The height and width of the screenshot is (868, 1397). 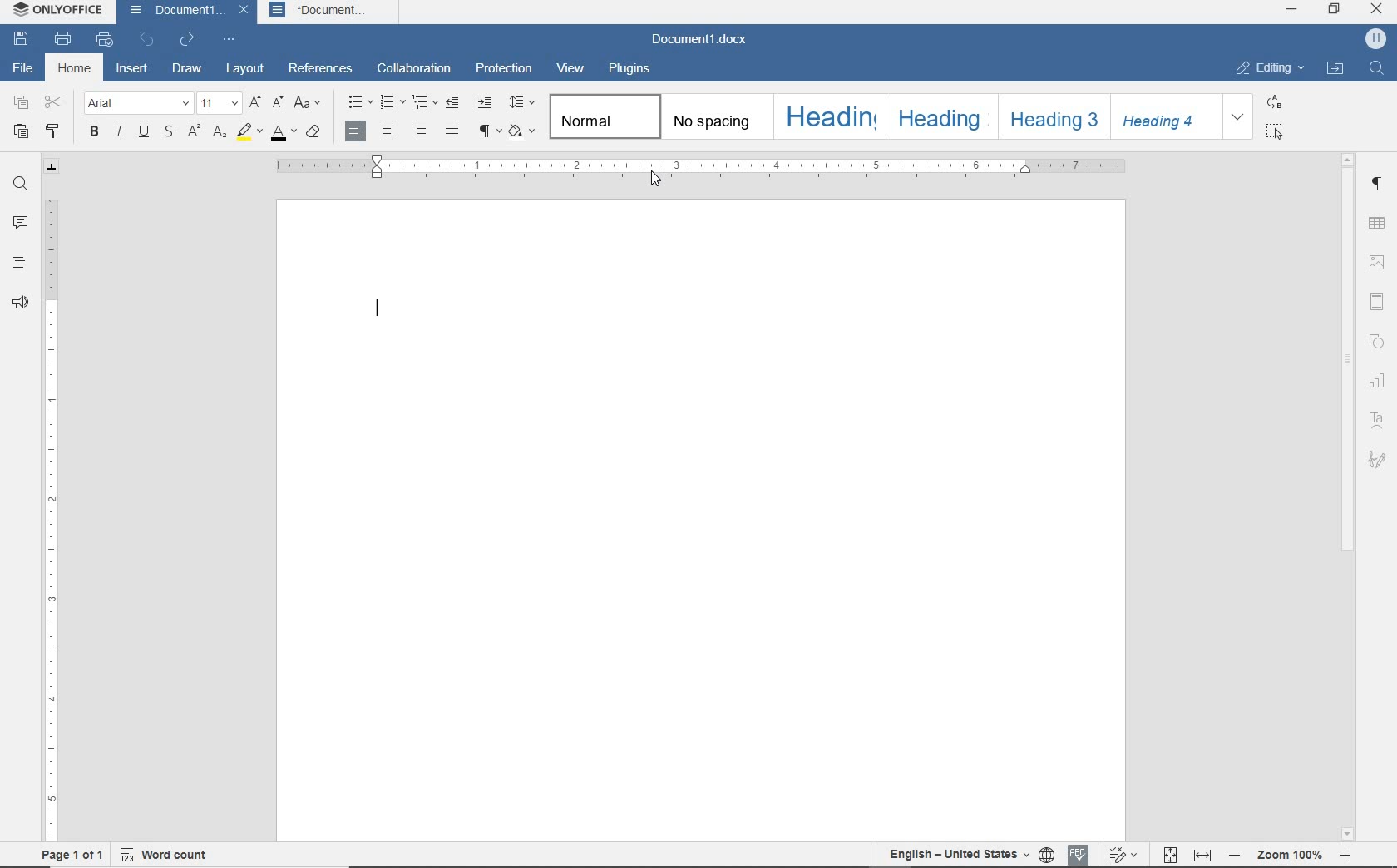 I want to click on SPELL CHECKING, so click(x=1076, y=854).